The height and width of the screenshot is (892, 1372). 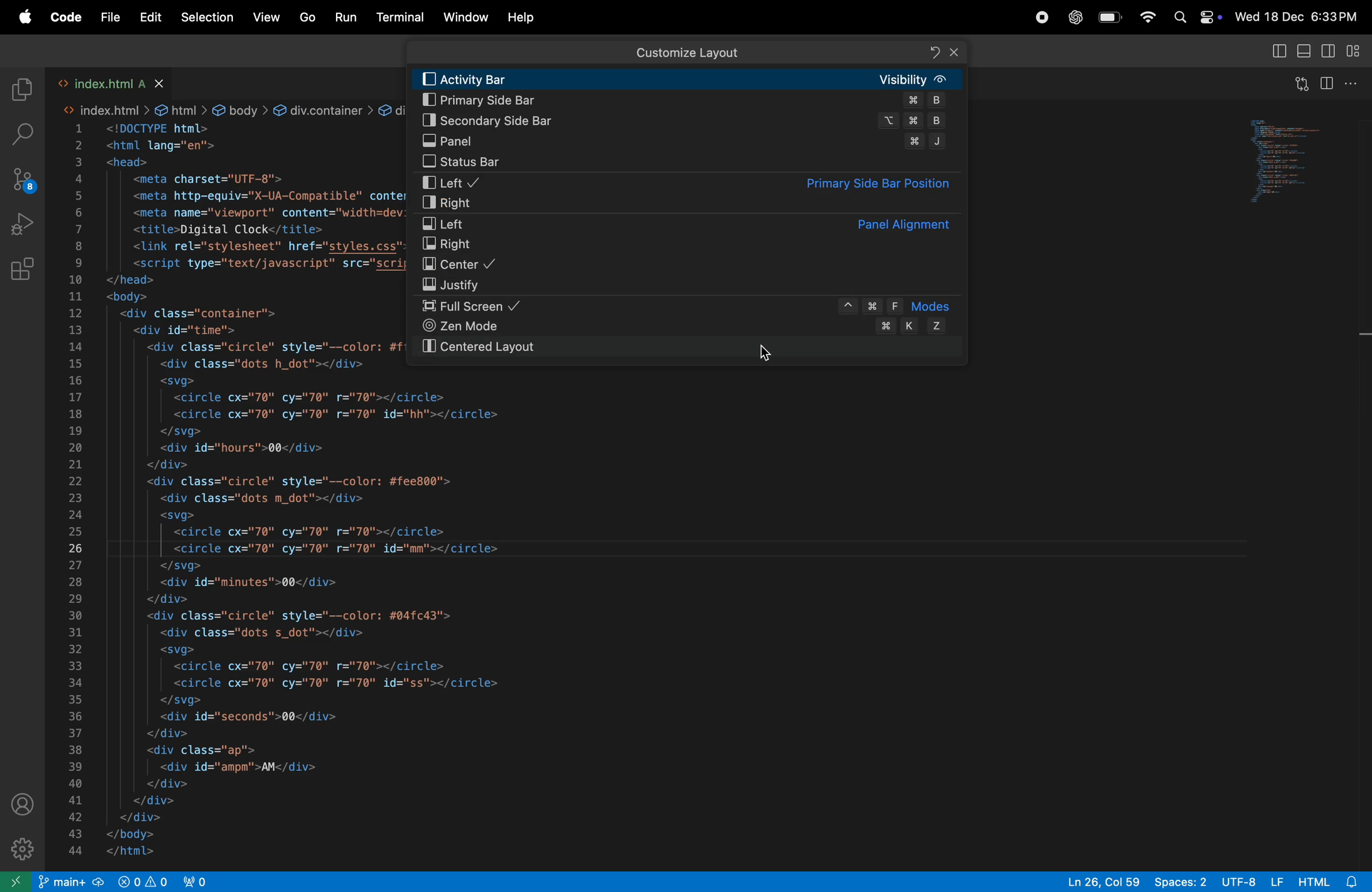 I want to click on line index, so click(x=74, y=492).